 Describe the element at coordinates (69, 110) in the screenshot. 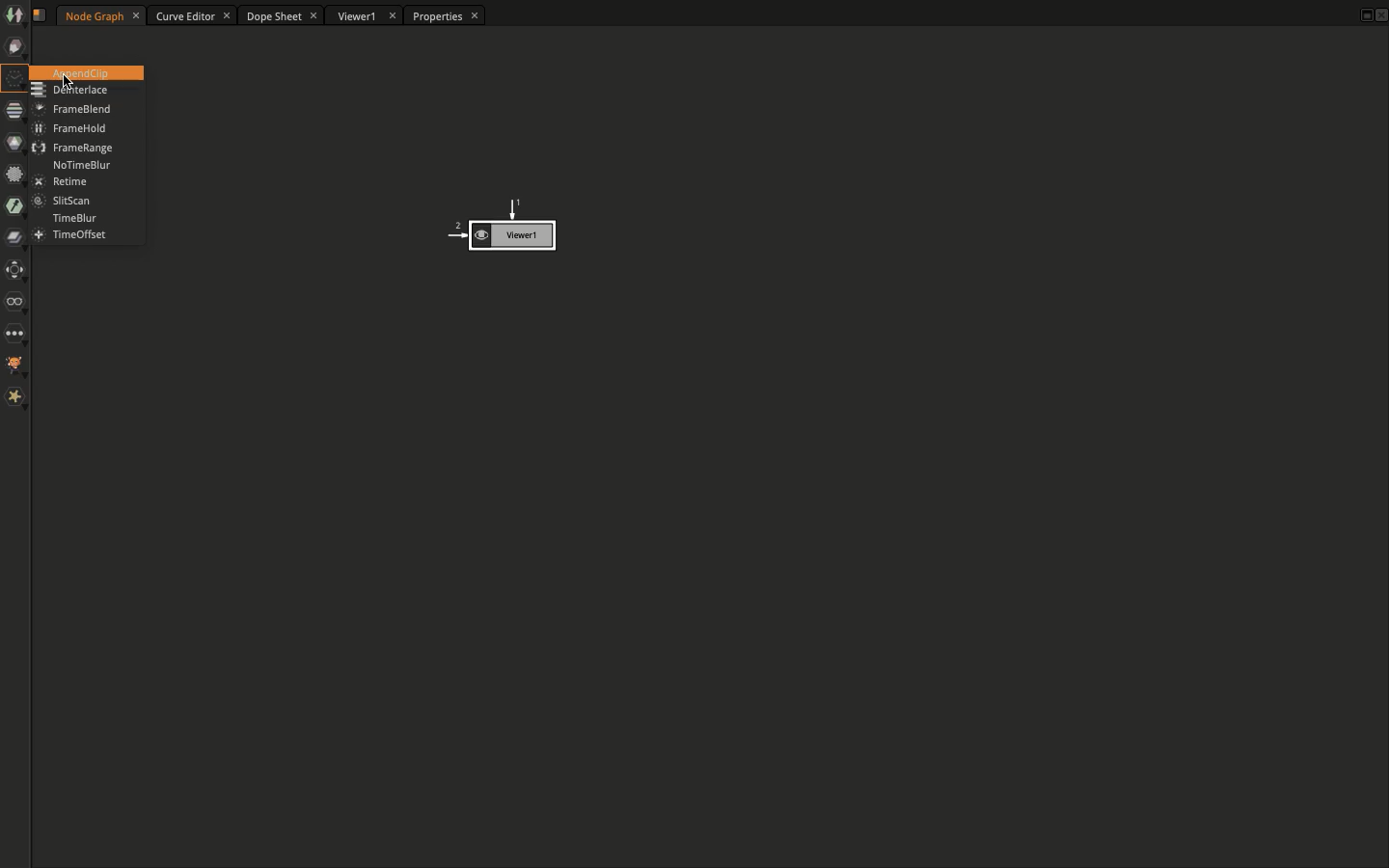

I see `FrameBlend` at that location.